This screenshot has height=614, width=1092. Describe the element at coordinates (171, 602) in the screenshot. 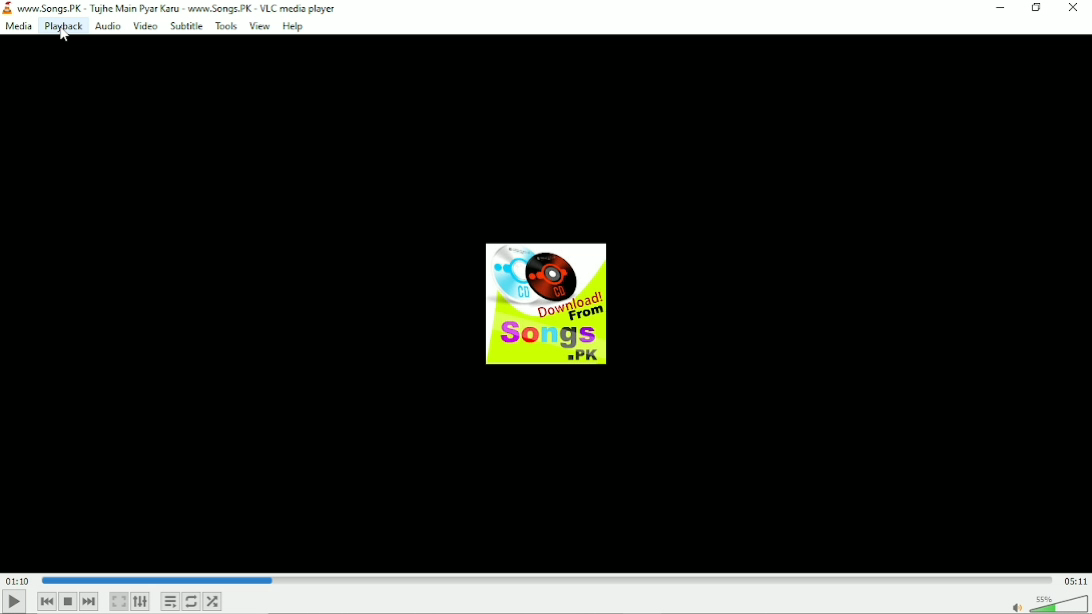

I see `Toggle playlist` at that location.